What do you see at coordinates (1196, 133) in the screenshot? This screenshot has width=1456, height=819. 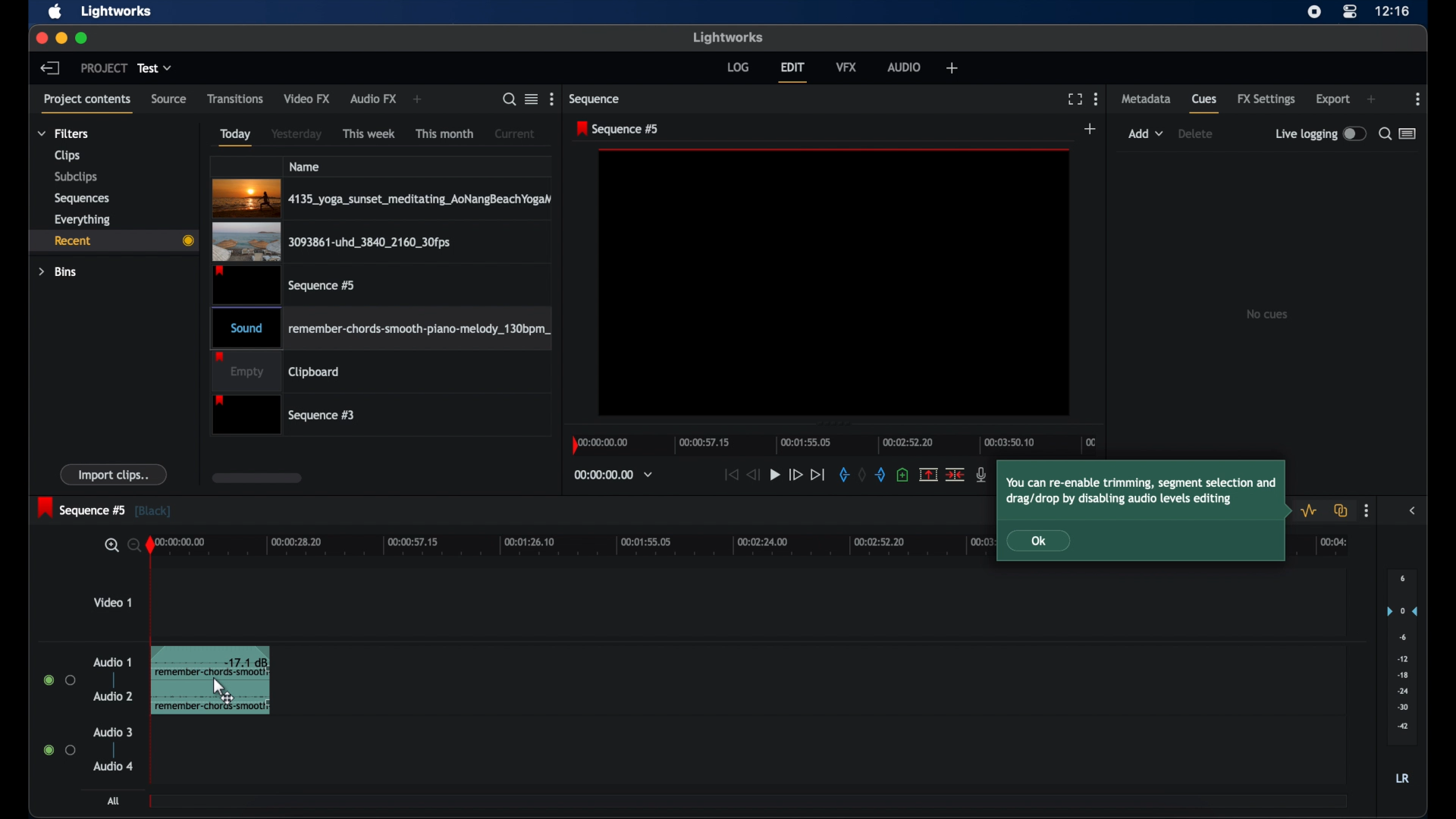 I see `delete` at bounding box center [1196, 133].